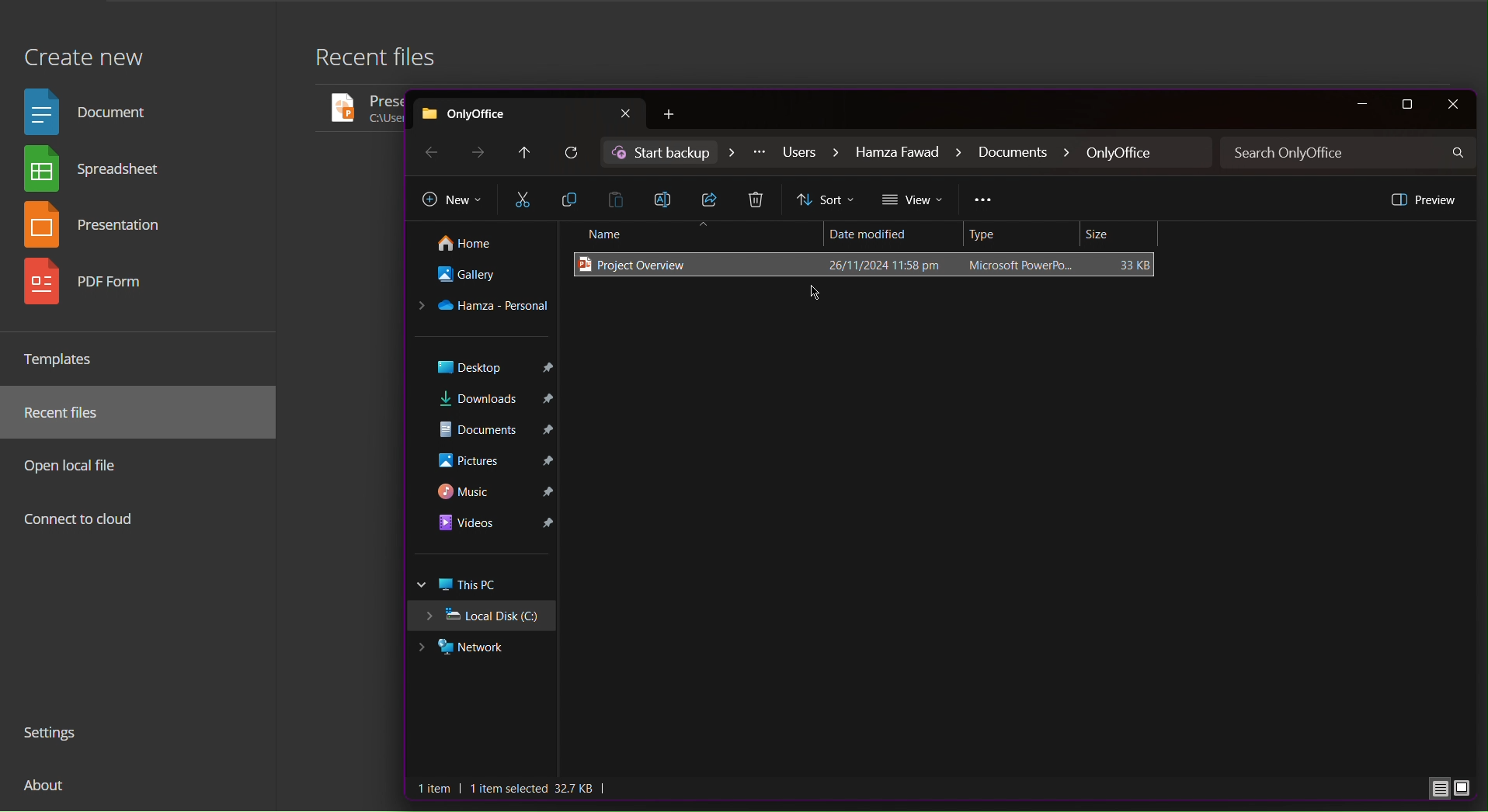 Image resolution: width=1488 pixels, height=812 pixels. Describe the element at coordinates (571, 200) in the screenshot. I see `Copy` at that location.